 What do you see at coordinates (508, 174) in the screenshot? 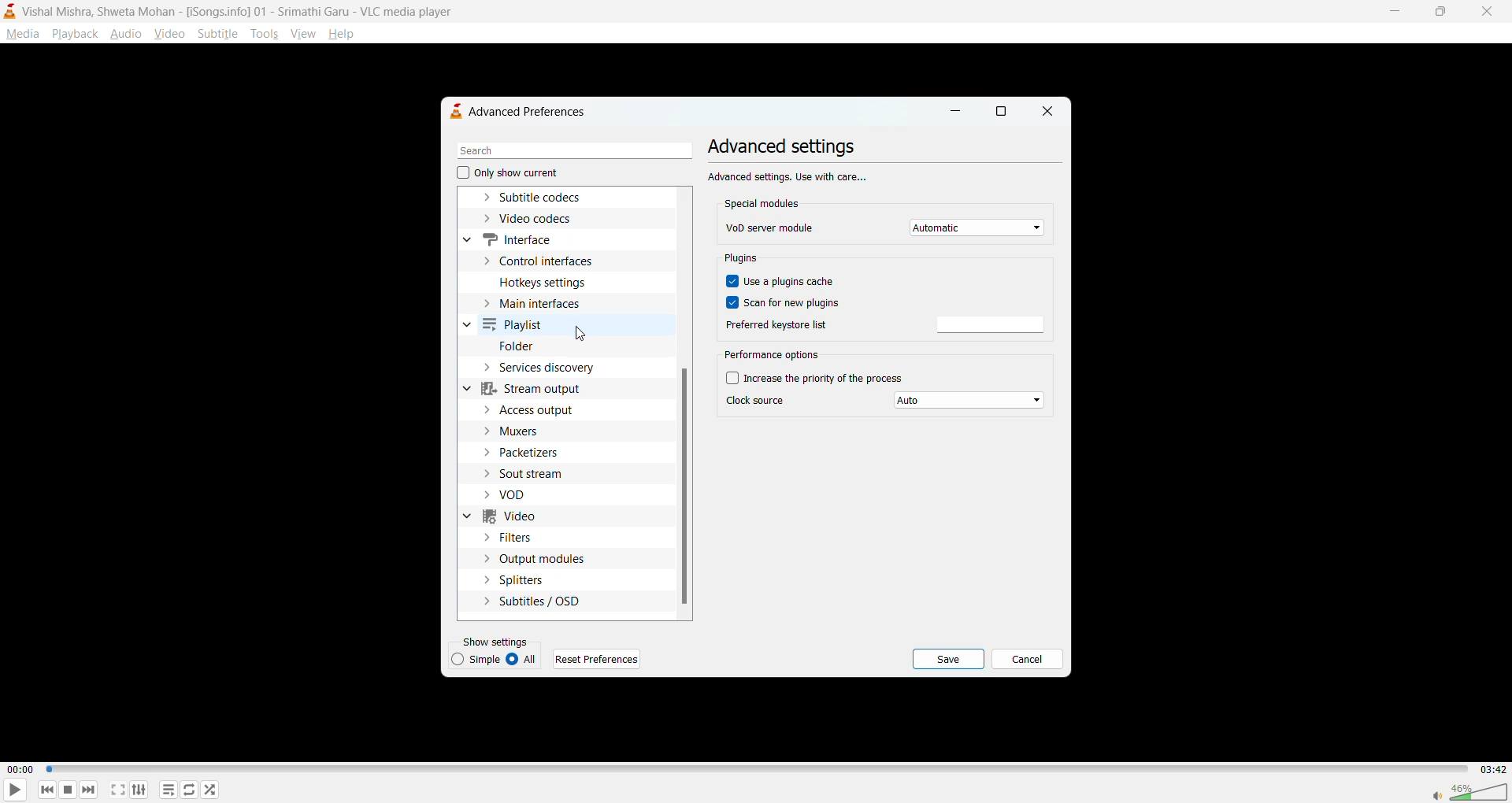
I see `only show current` at bounding box center [508, 174].